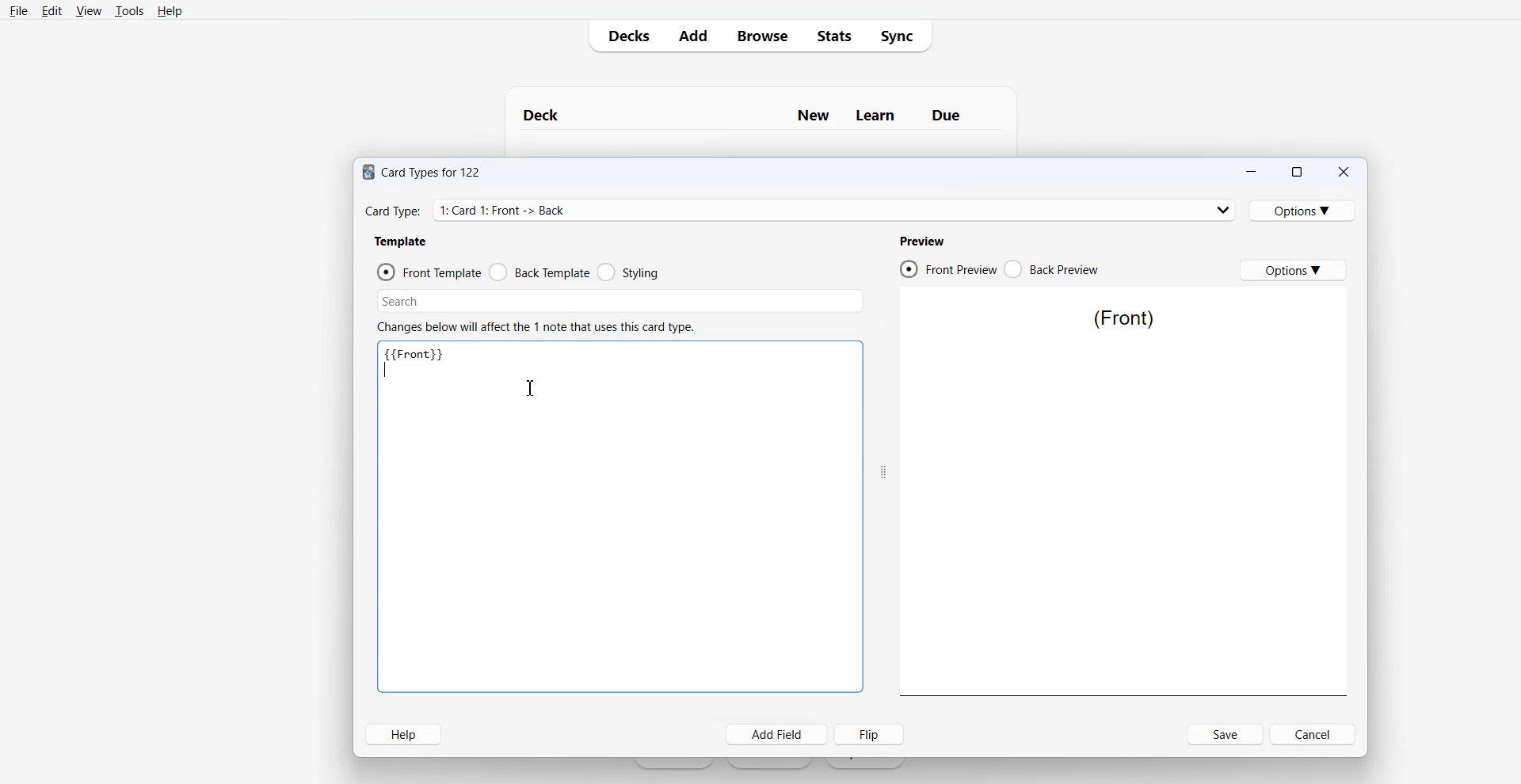  What do you see at coordinates (778, 734) in the screenshot?
I see `Add Field` at bounding box center [778, 734].